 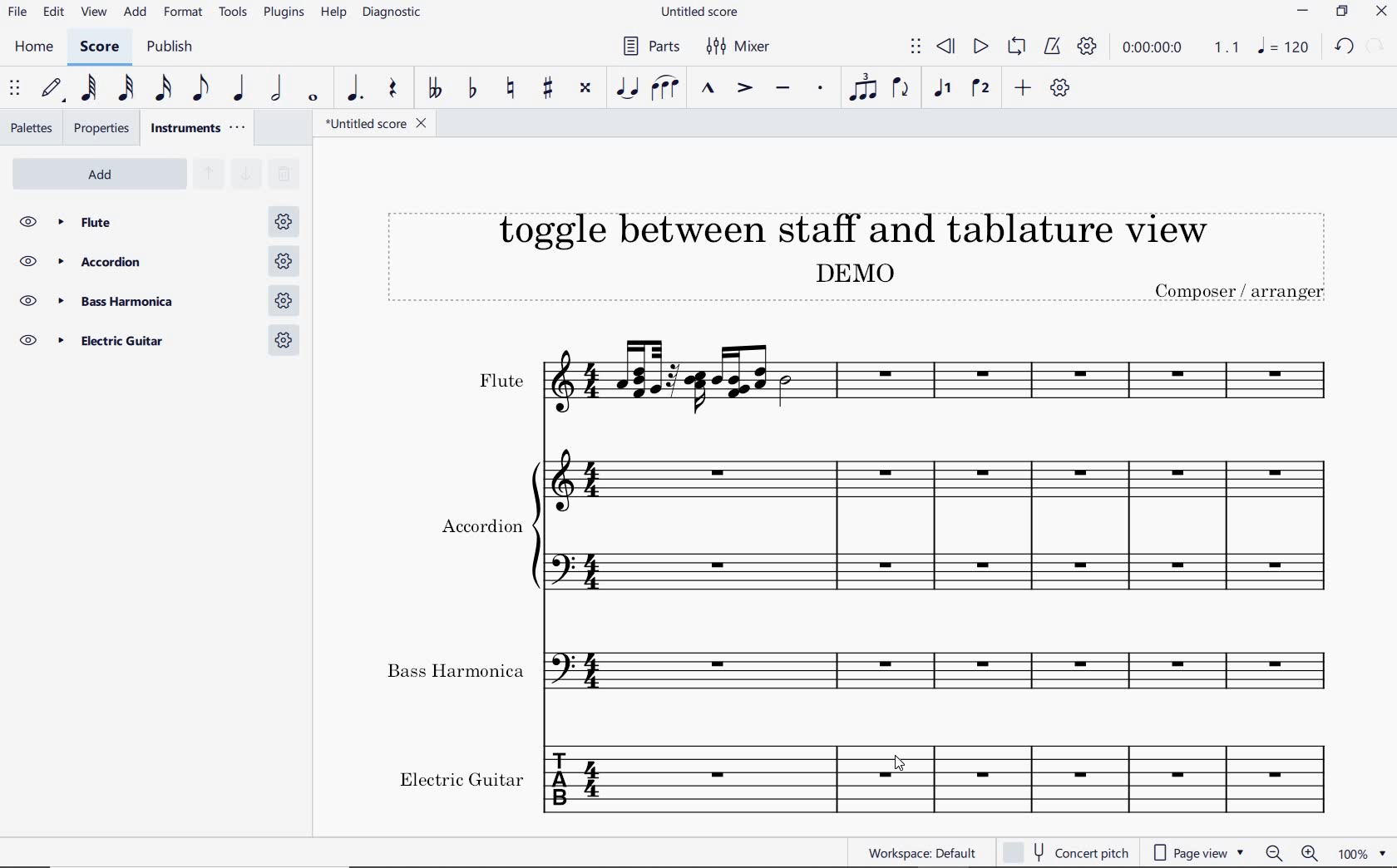 I want to click on tuplet, so click(x=864, y=89).